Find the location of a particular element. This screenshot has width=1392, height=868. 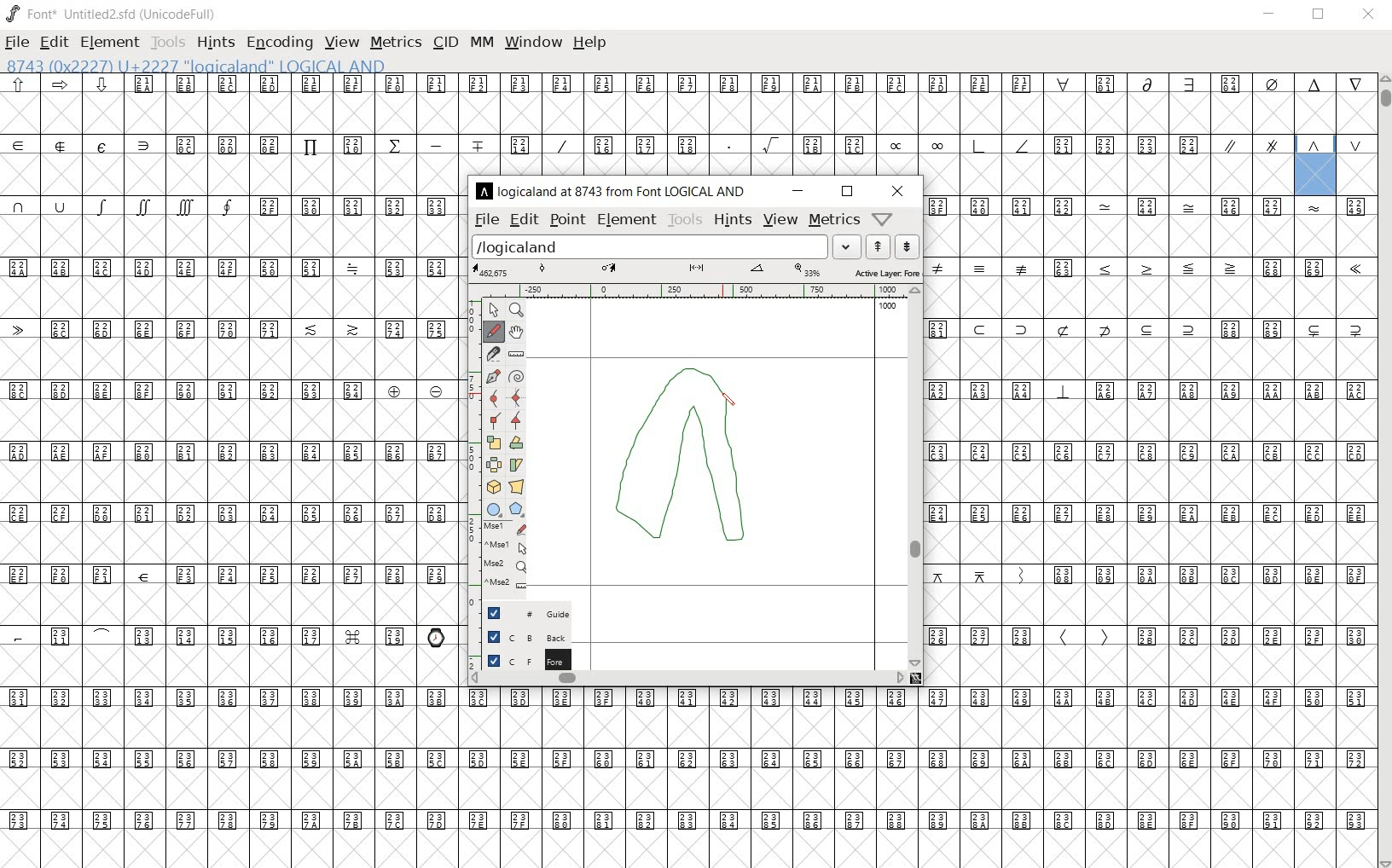

glyph characters is located at coordinates (1150, 440).